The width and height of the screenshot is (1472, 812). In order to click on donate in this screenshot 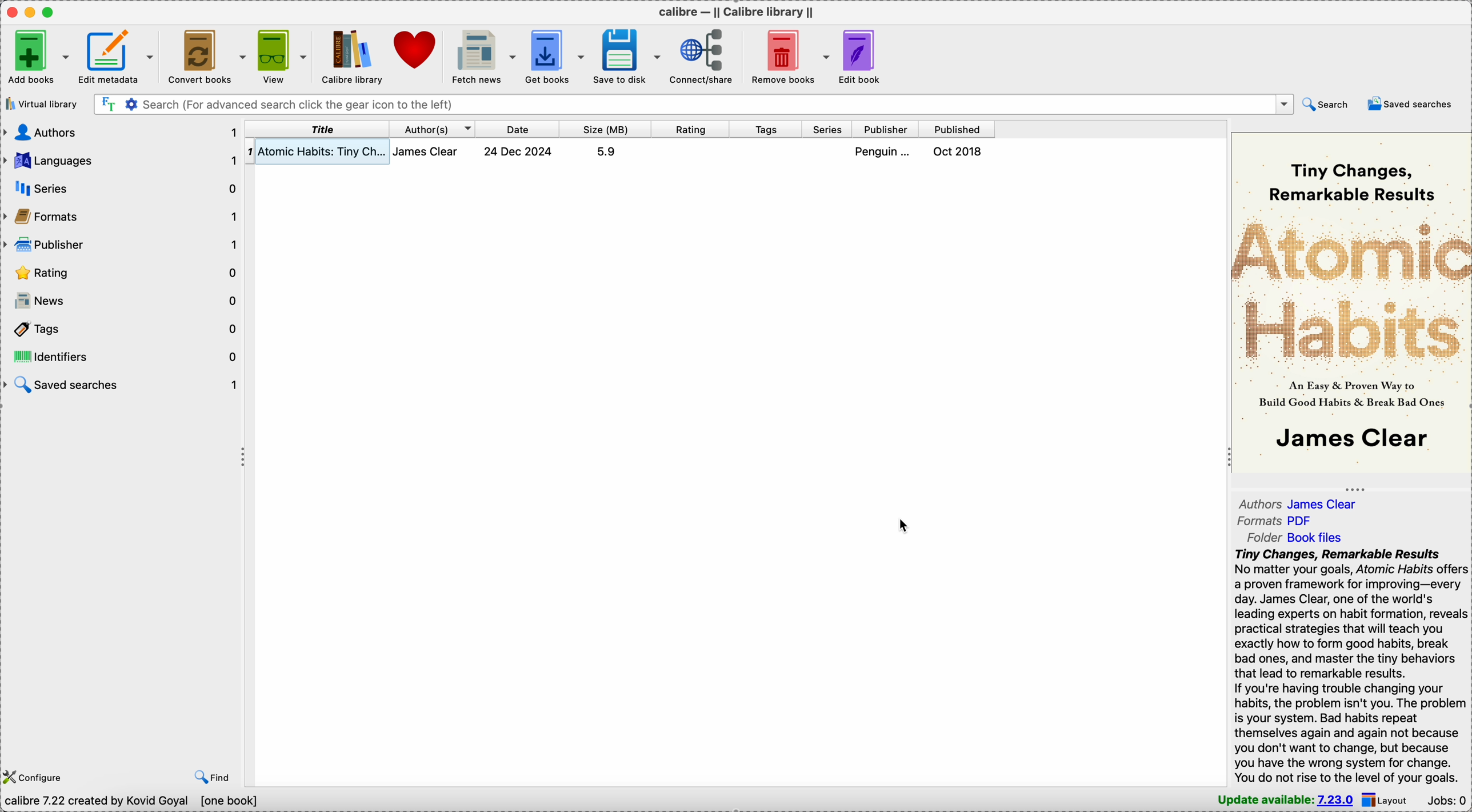, I will do `click(418, 52)`.